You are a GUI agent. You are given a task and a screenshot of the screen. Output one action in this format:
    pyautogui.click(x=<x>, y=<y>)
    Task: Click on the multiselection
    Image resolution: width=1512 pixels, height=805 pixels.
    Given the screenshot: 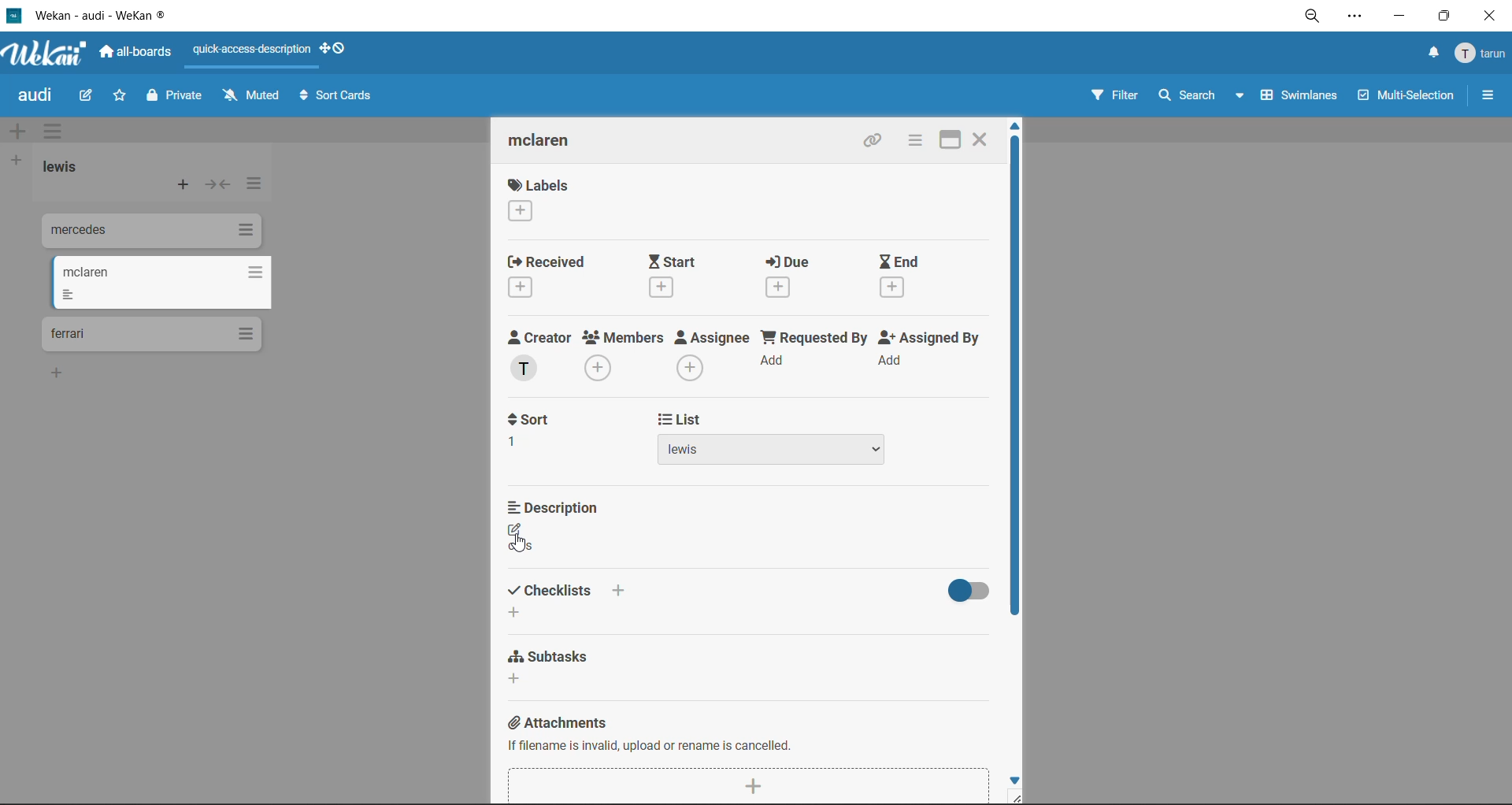 What is the action you would take?
    pyautogui.click(x=1403, y=97)
    